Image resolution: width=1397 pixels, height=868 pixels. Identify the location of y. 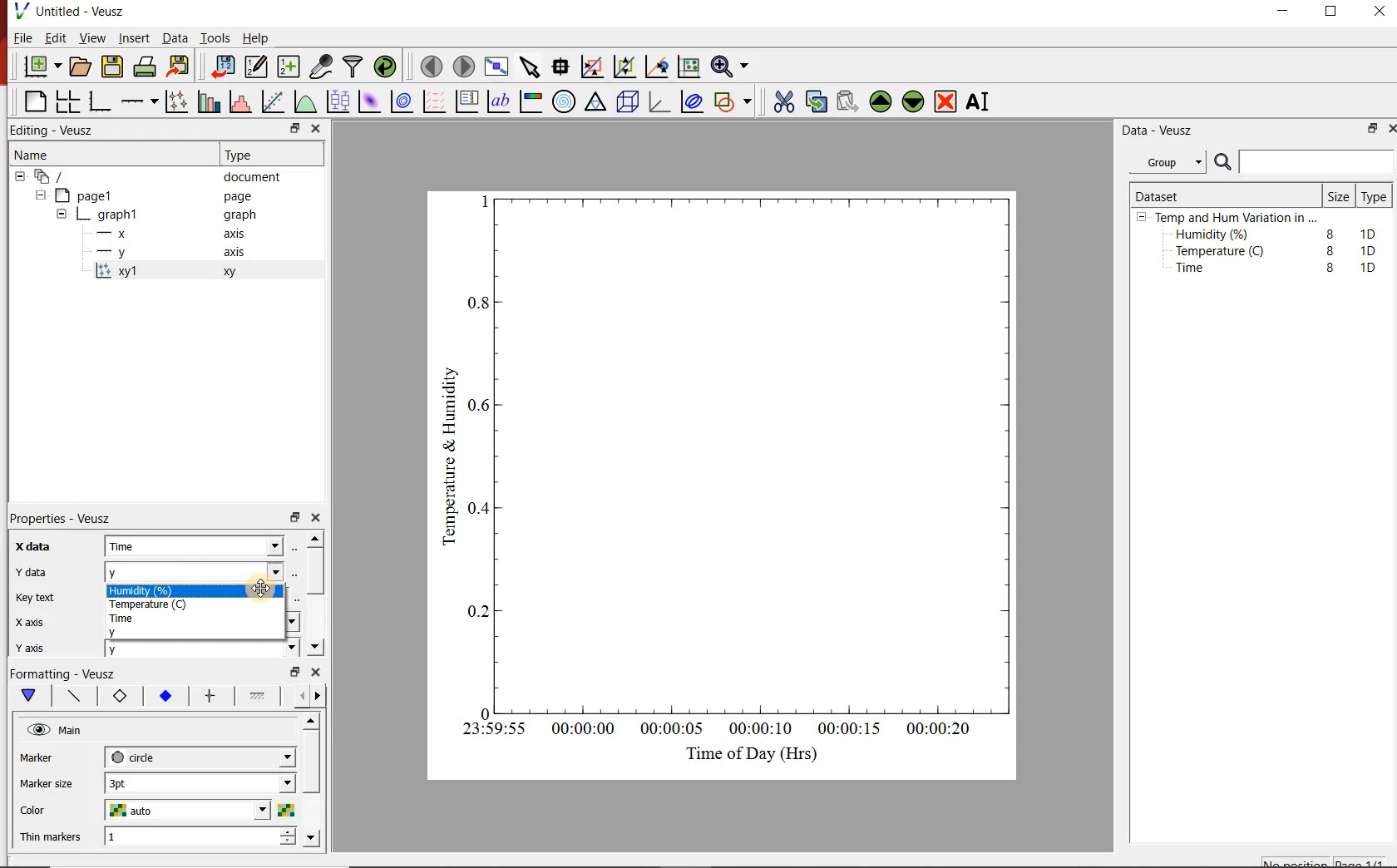
(140, 633).